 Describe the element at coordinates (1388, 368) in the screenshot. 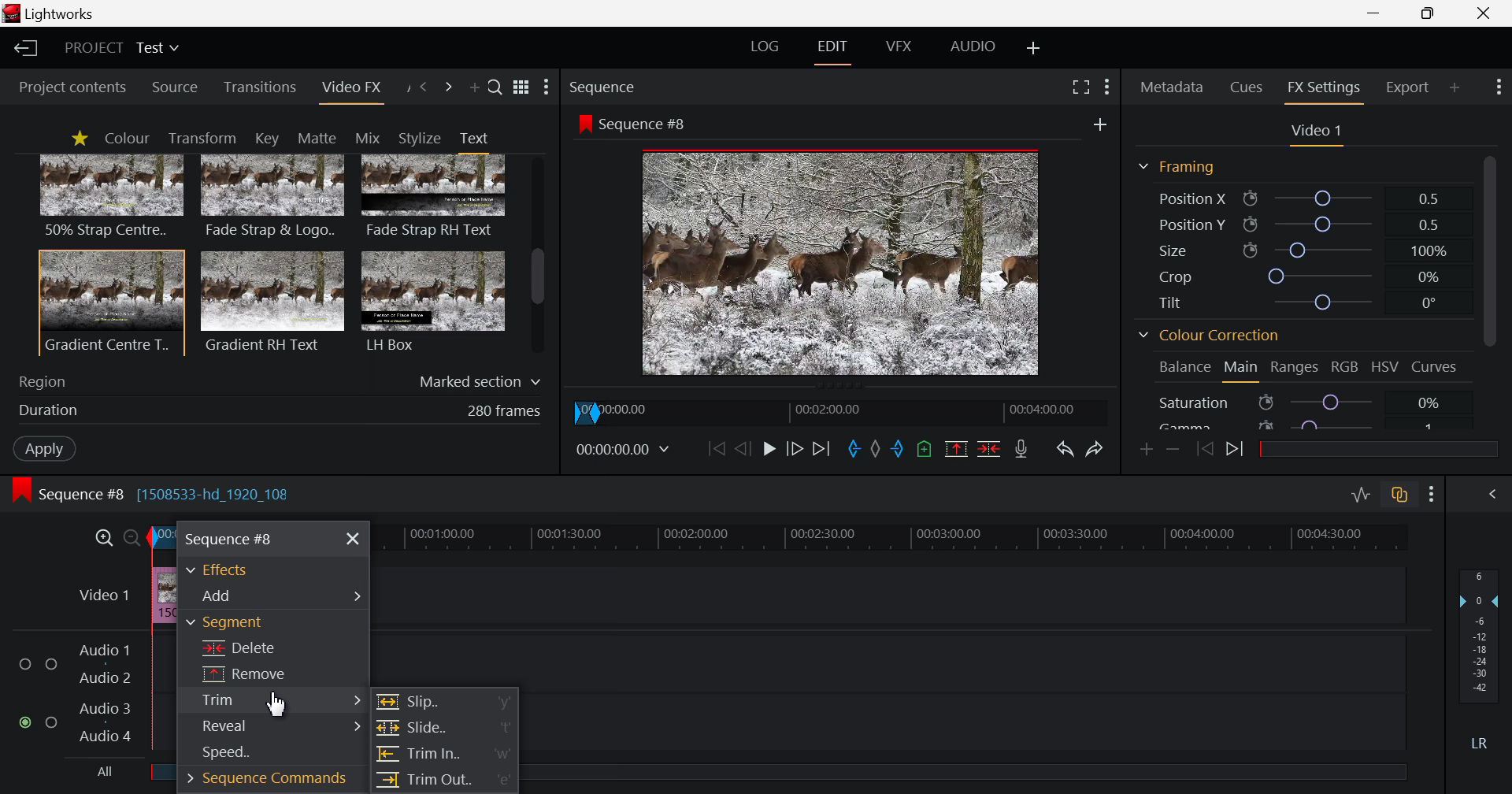

I see `HSV` at that location.